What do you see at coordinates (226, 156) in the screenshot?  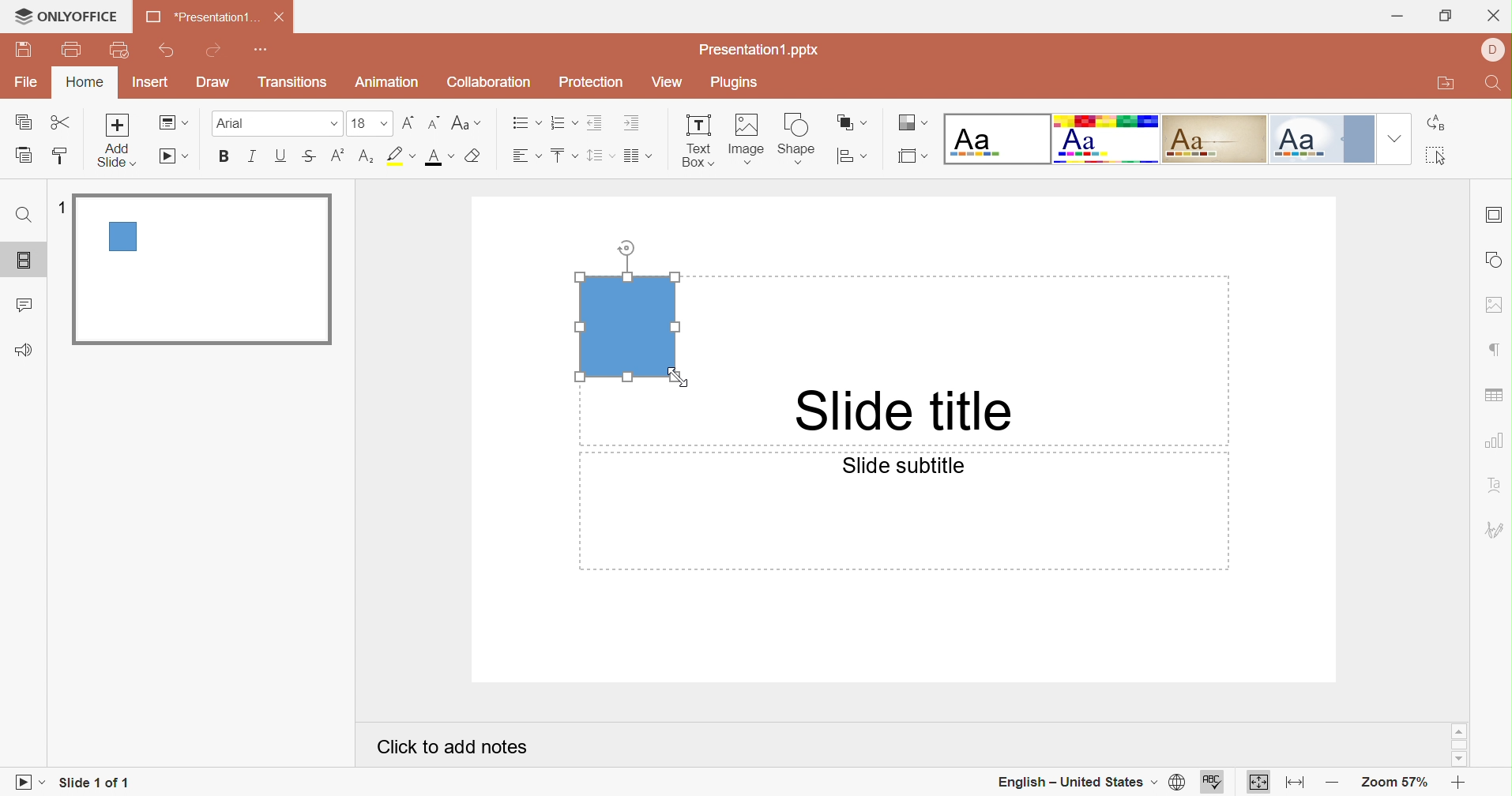 I see `Bold` at bounding box center [226, 156].